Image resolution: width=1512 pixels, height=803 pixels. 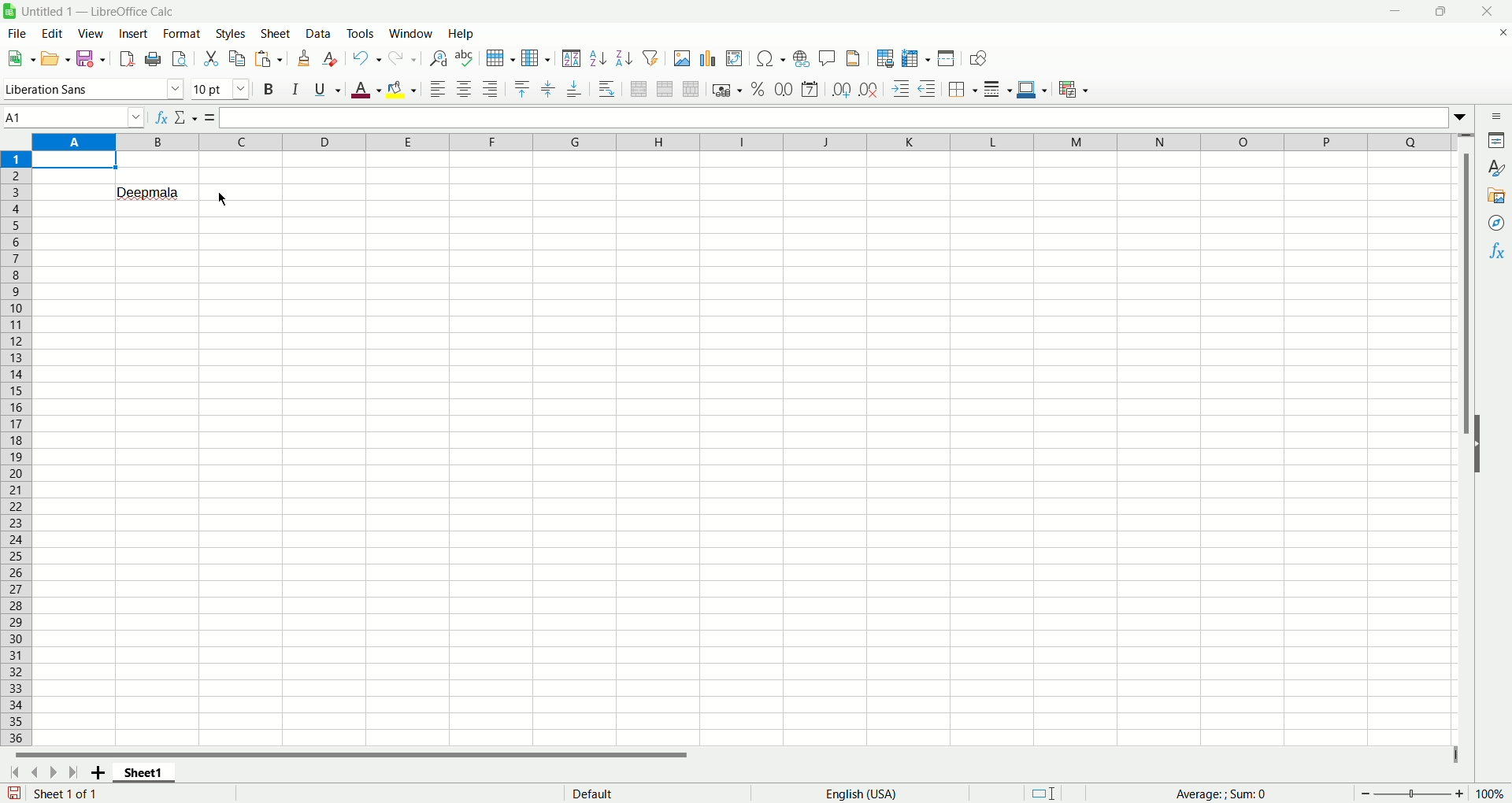 I want to click on Sort decending, so click(x=624, y=56).